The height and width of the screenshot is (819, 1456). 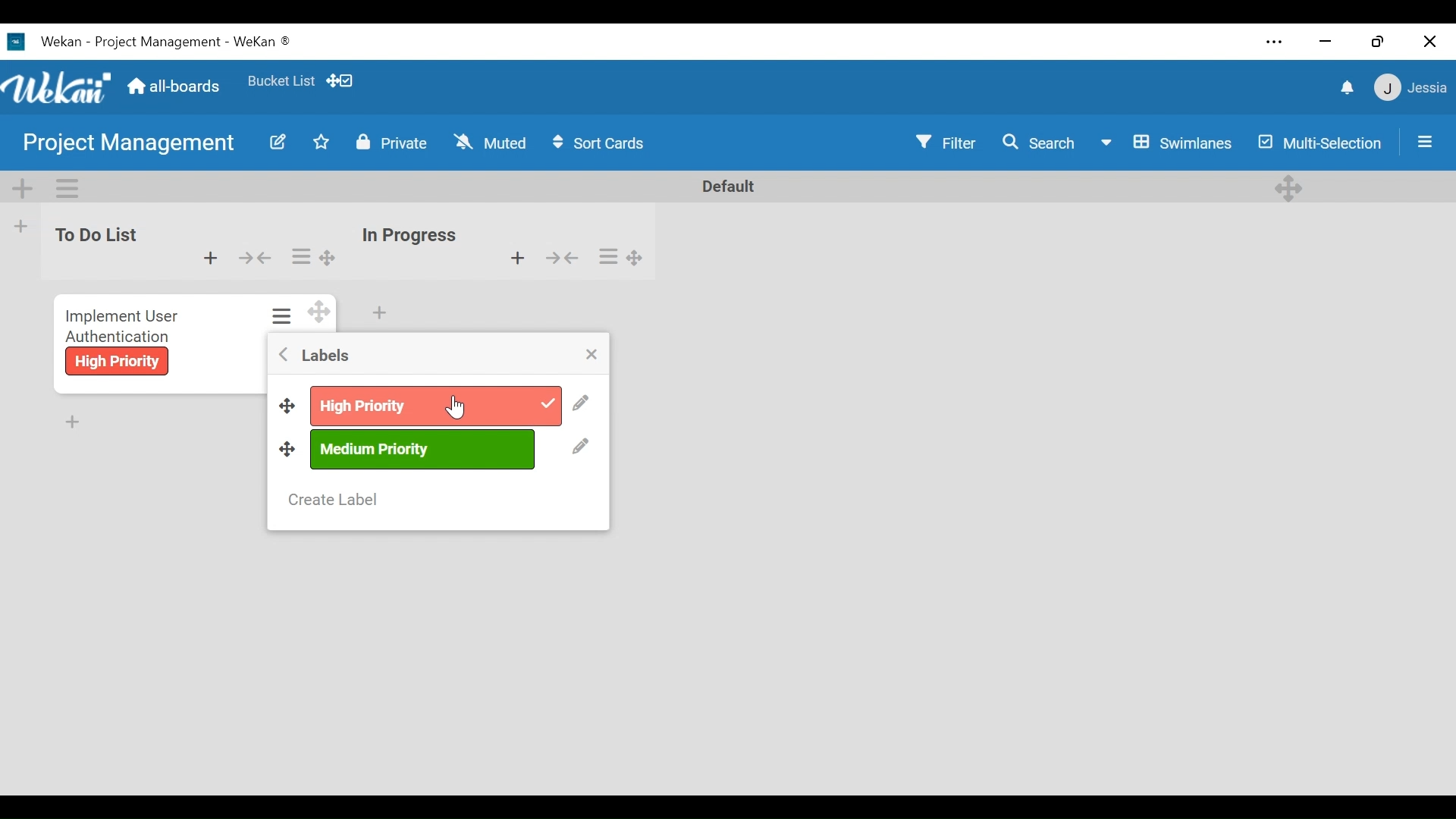 What do you see at coordinates (323, 144) in the screenshot?
I see `mark as favorite` at bounding box center [323, 144].